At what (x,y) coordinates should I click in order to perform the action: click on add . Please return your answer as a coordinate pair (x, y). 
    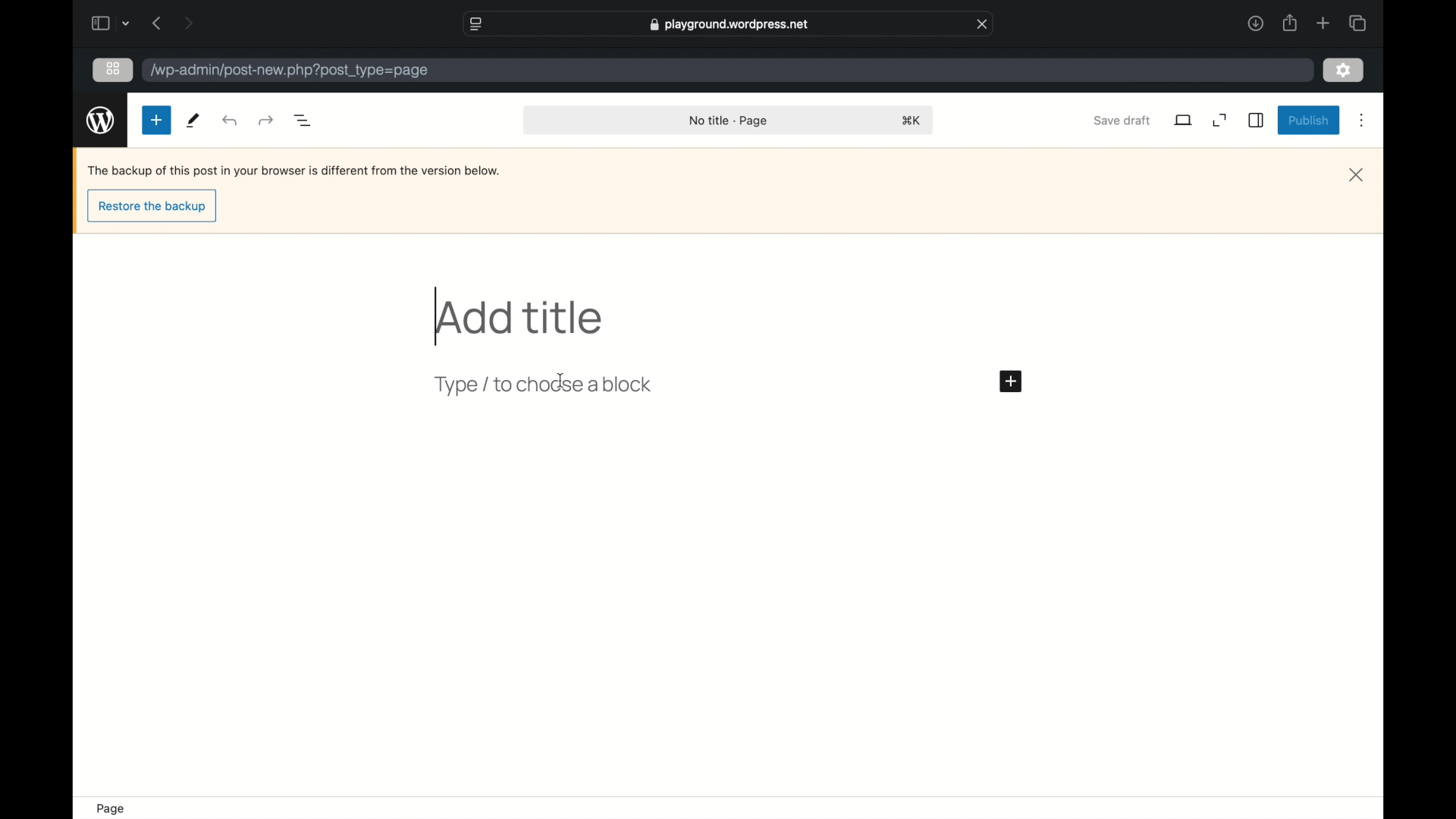
    Looking at the image, I should click on (1011, 381).